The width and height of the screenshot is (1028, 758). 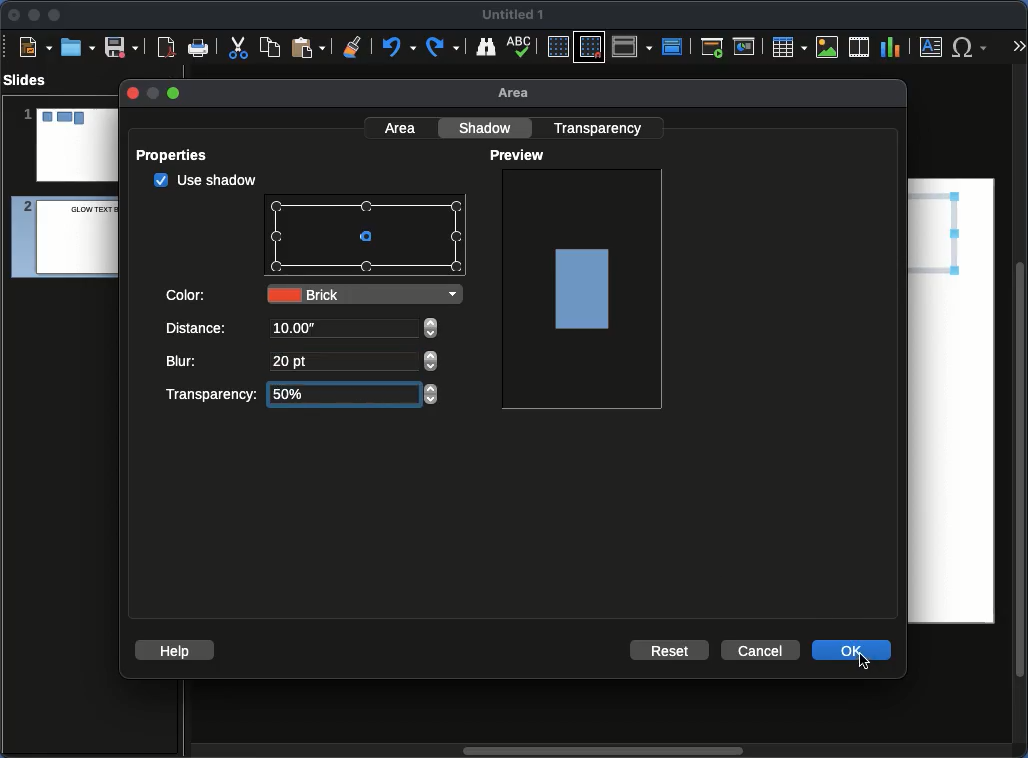 I want to click on adjust, so click(x=432, y=395).